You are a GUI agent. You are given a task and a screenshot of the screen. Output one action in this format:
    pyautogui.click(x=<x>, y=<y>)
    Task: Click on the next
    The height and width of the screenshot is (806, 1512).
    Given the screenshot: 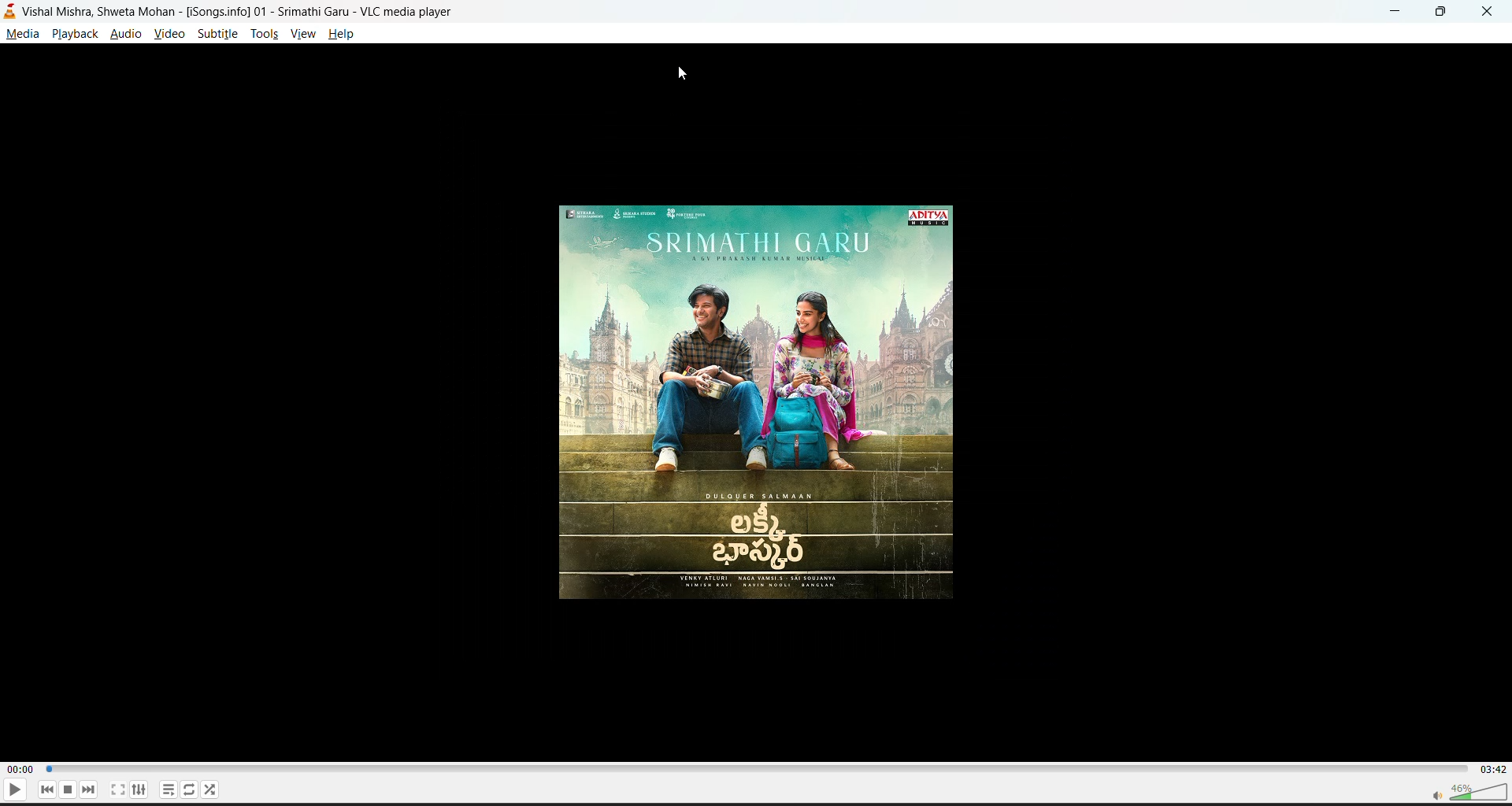 What is the action you would take?
    pyautogui.click(x=86, y=790)
    